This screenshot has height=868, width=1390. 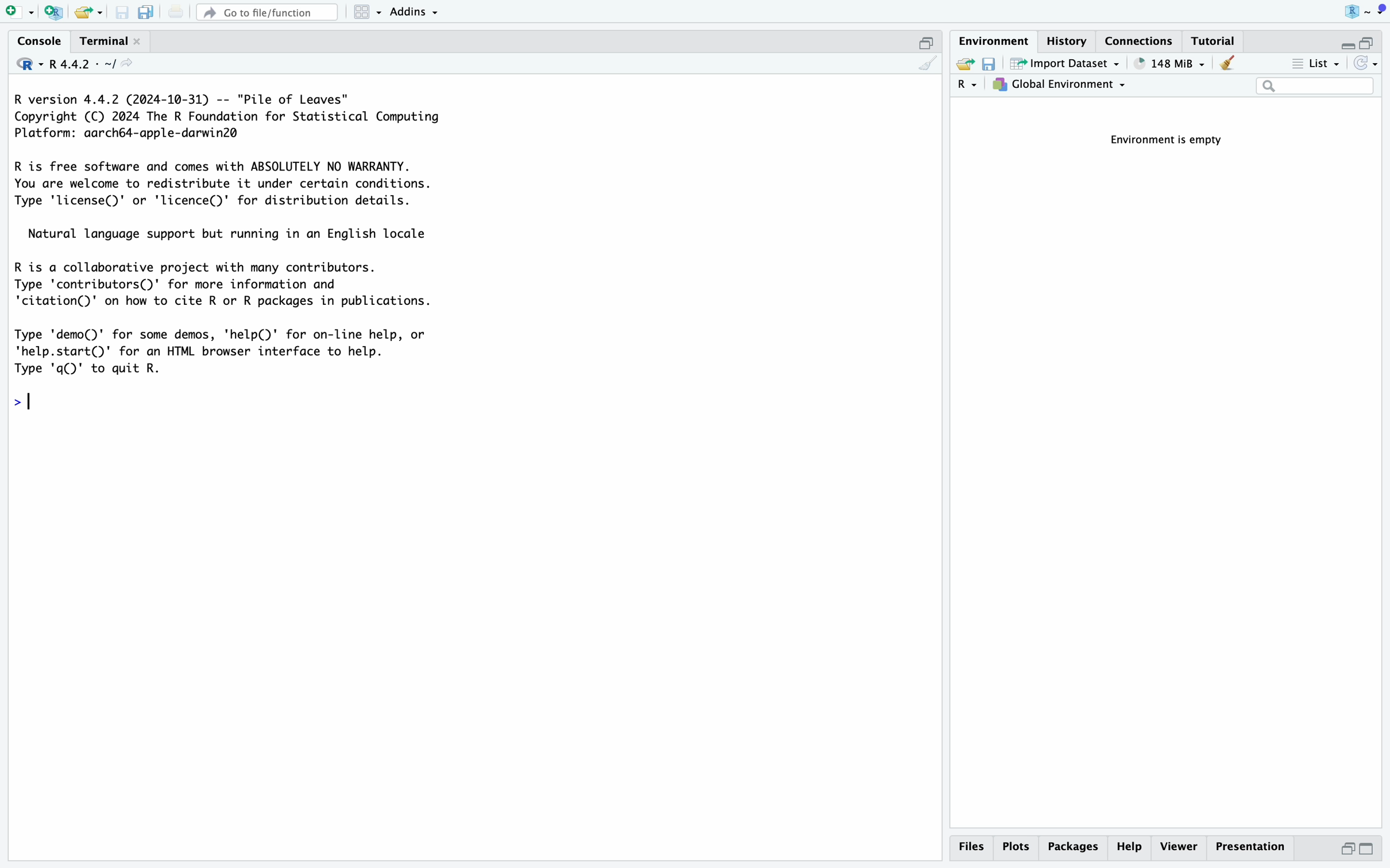 I want to click on save workspace as, so click(x=993, y=65).